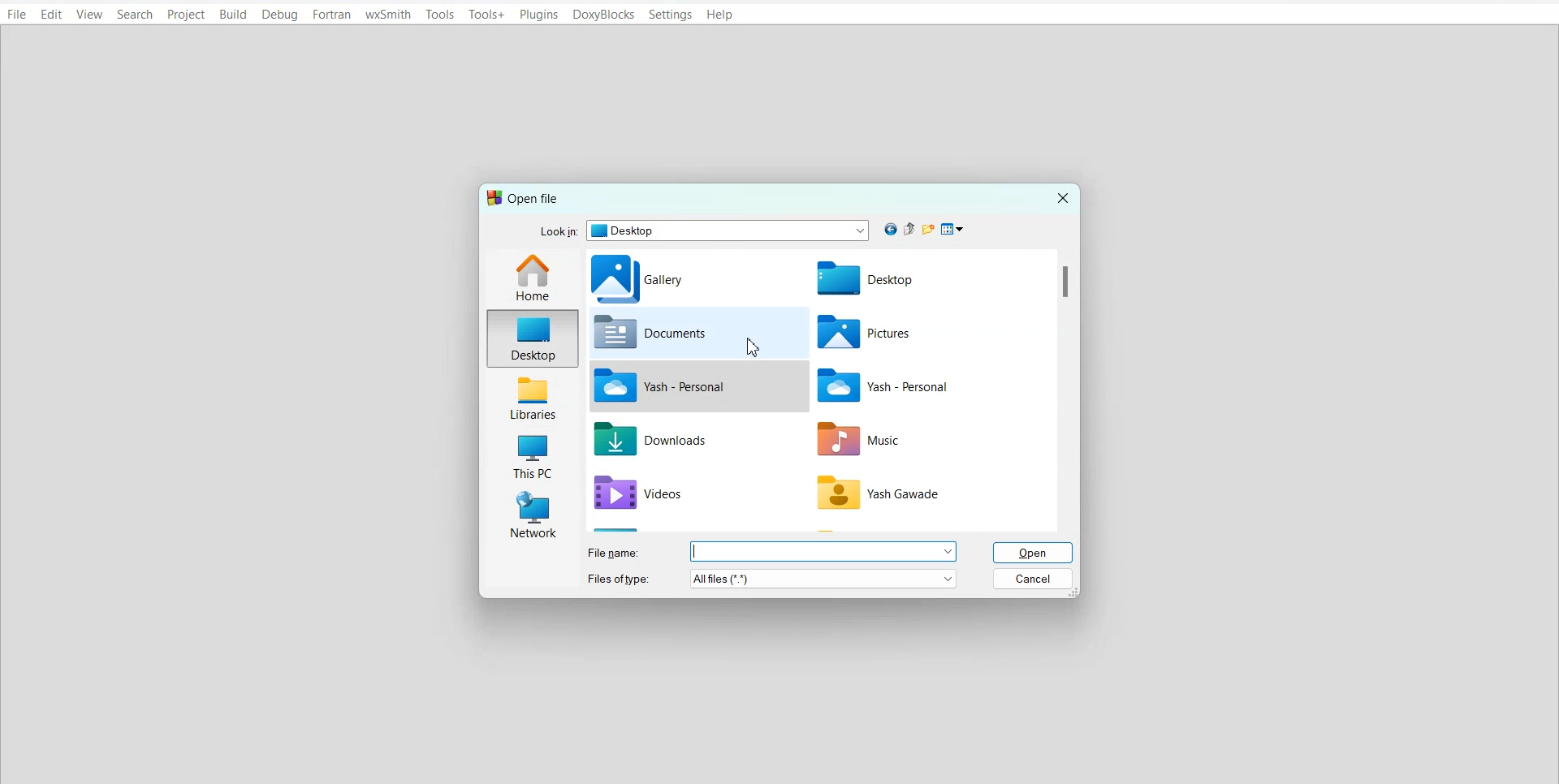 This screenshot has width=1559, height=784. What do you see at coordinates (1034, 553) in the screenshot?
I see `Open ` at bounding box center [1034, 553].